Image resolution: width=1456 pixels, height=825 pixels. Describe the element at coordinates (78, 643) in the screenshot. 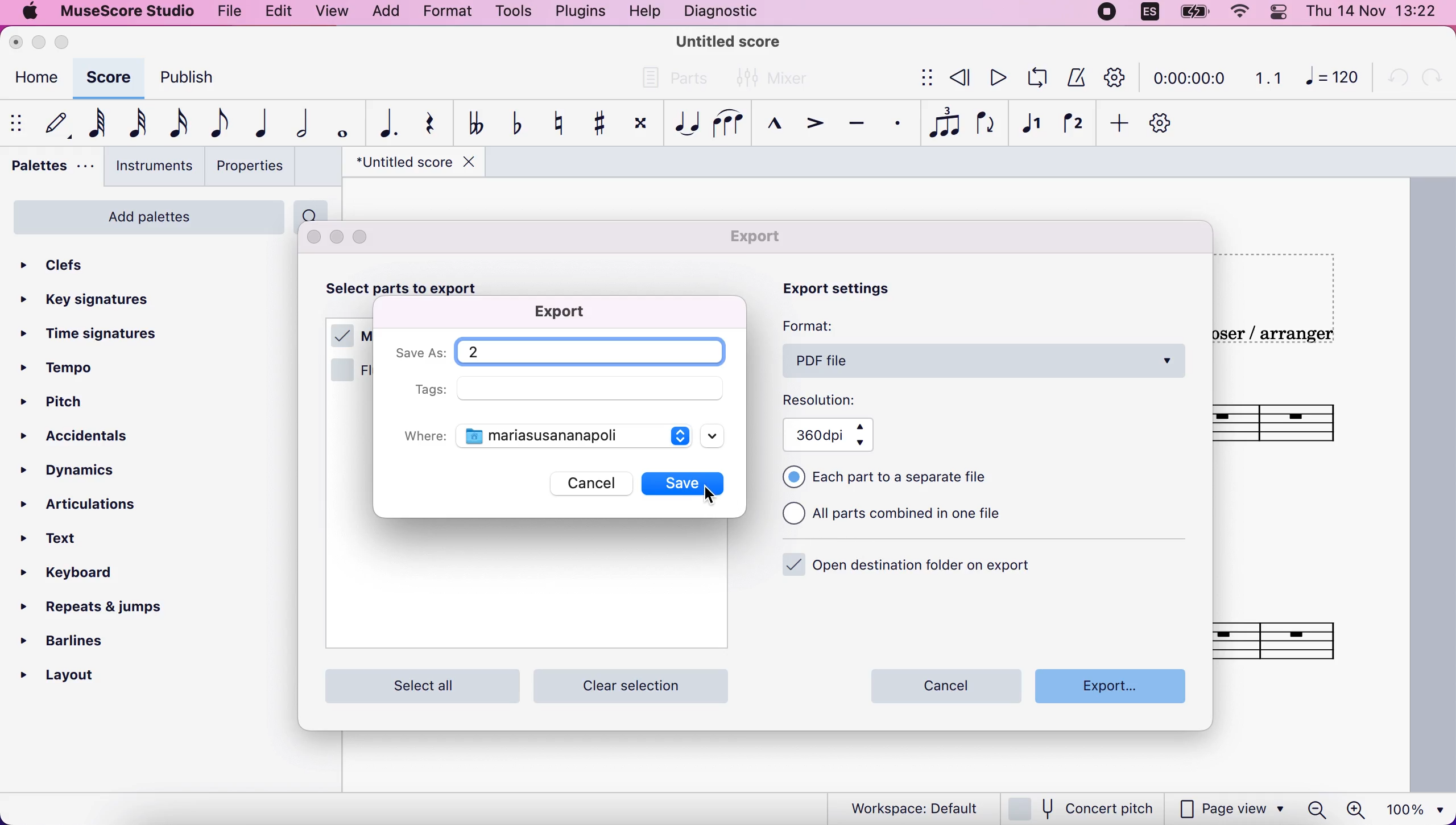

I see `barlines` at that location.